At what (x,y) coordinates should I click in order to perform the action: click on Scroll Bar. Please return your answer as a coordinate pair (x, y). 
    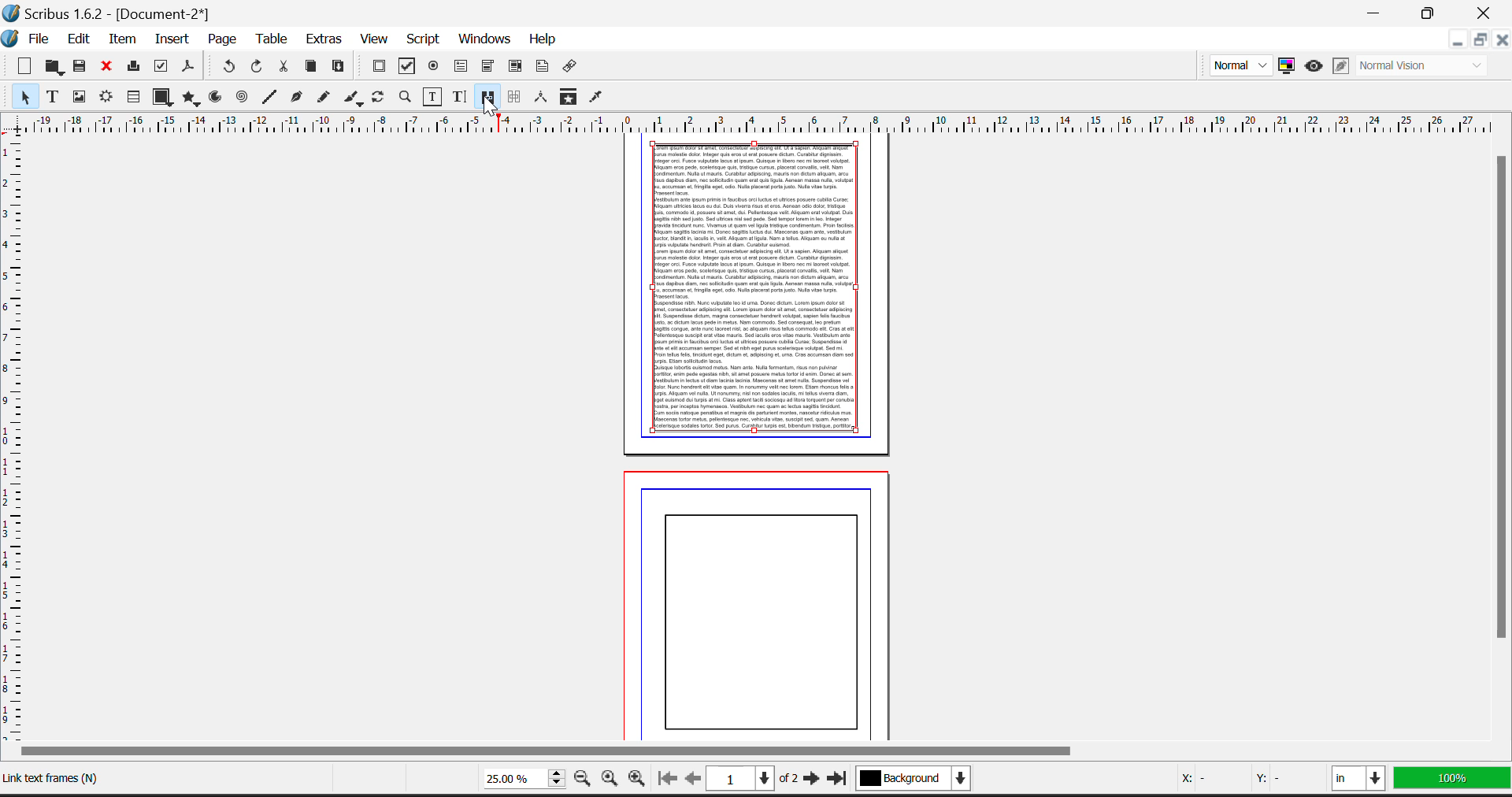
    Looking at the image, I should click on (1503, 444).